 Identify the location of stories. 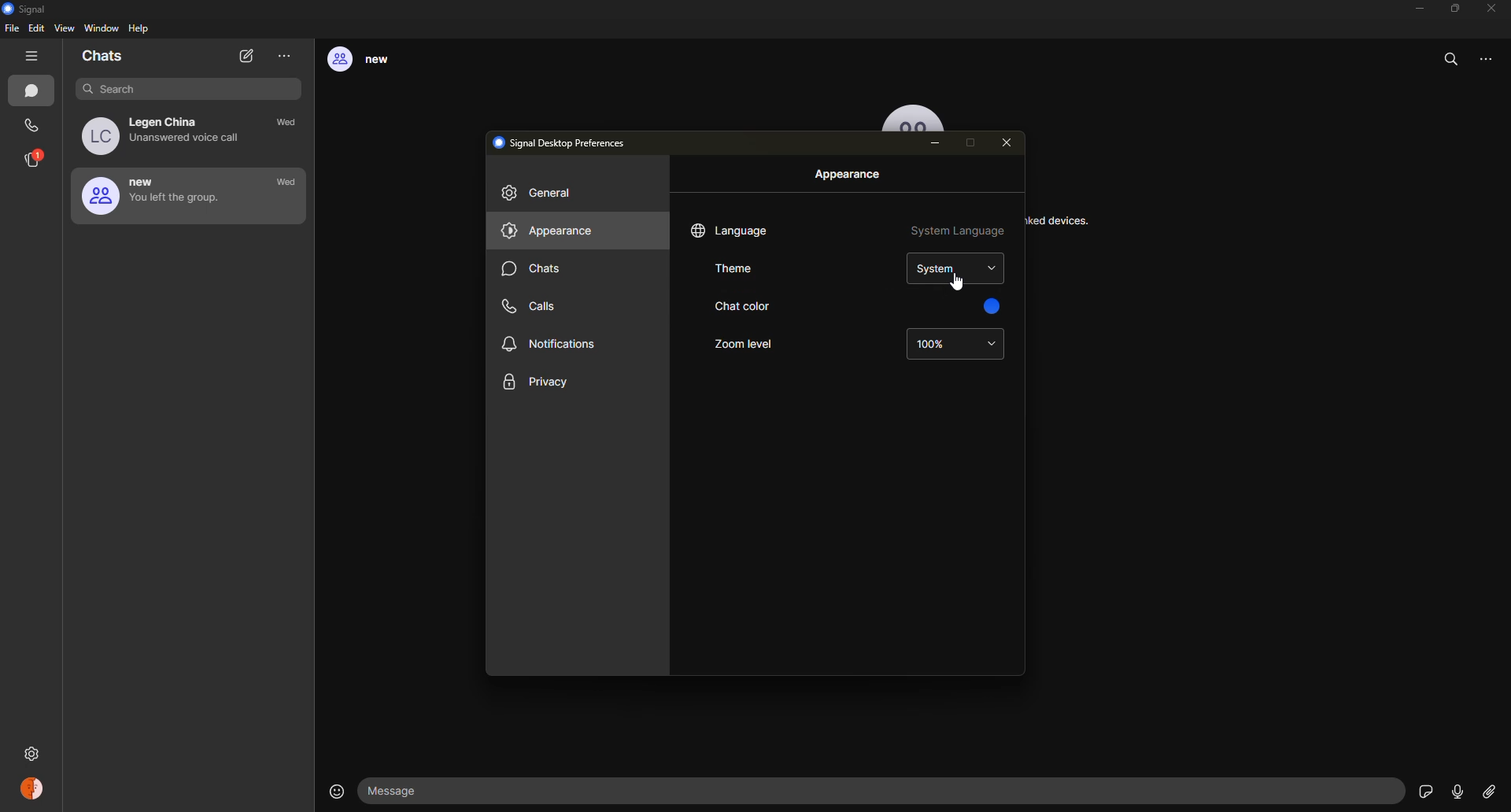
(35, 159).